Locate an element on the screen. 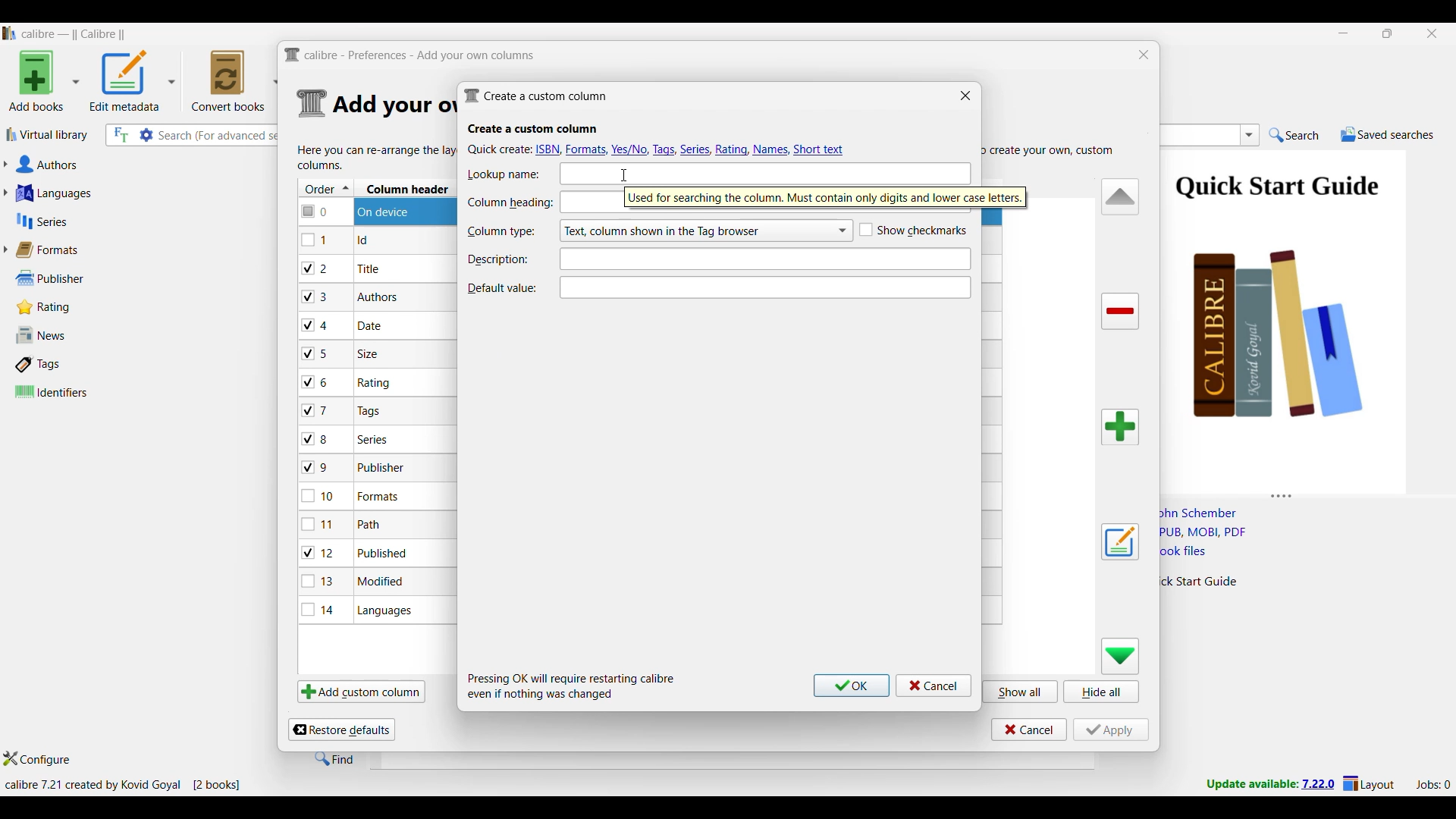 The width and height of the screenshot is (1456, 819). Find is located at coordinates (334, 758).